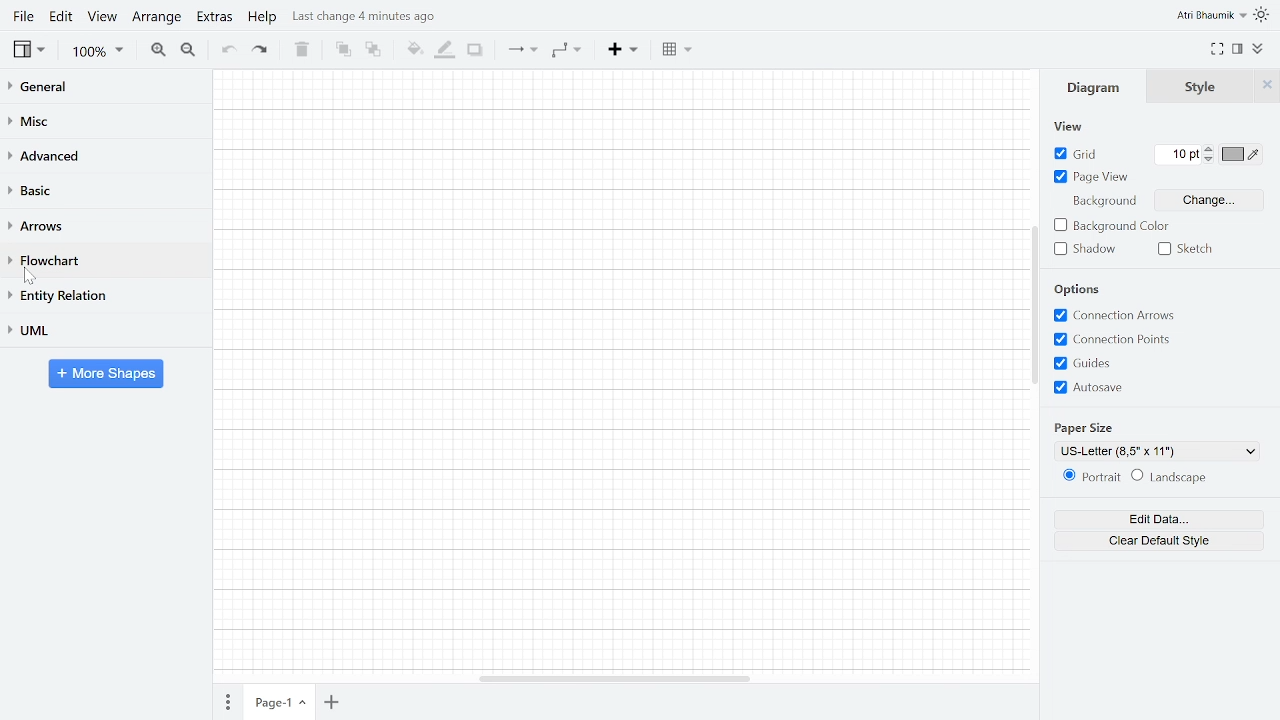 The image size is (1280, 720). I want to click on view, so click(1072, 128).